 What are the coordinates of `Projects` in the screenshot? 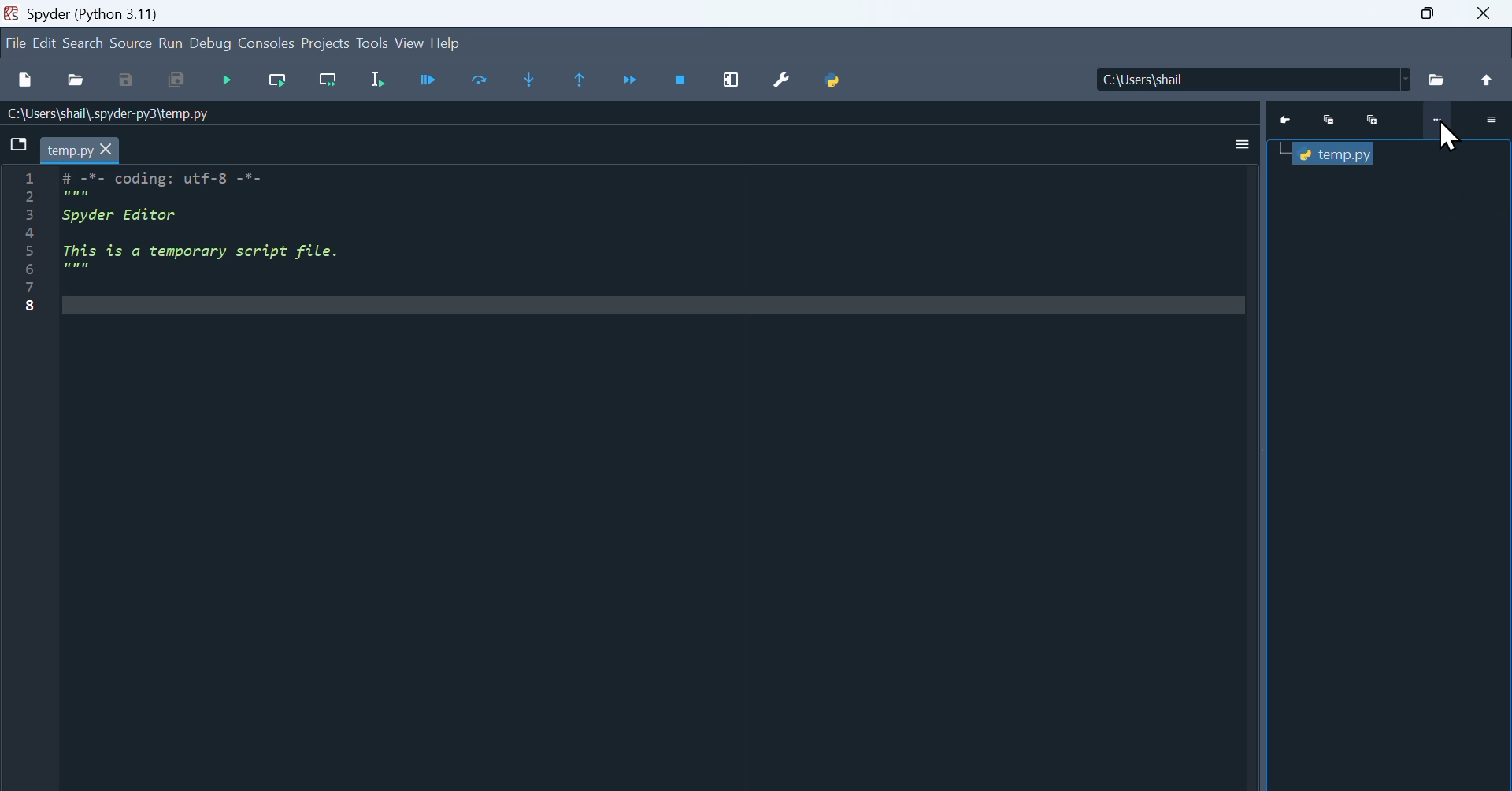 It's located at (324, 43).